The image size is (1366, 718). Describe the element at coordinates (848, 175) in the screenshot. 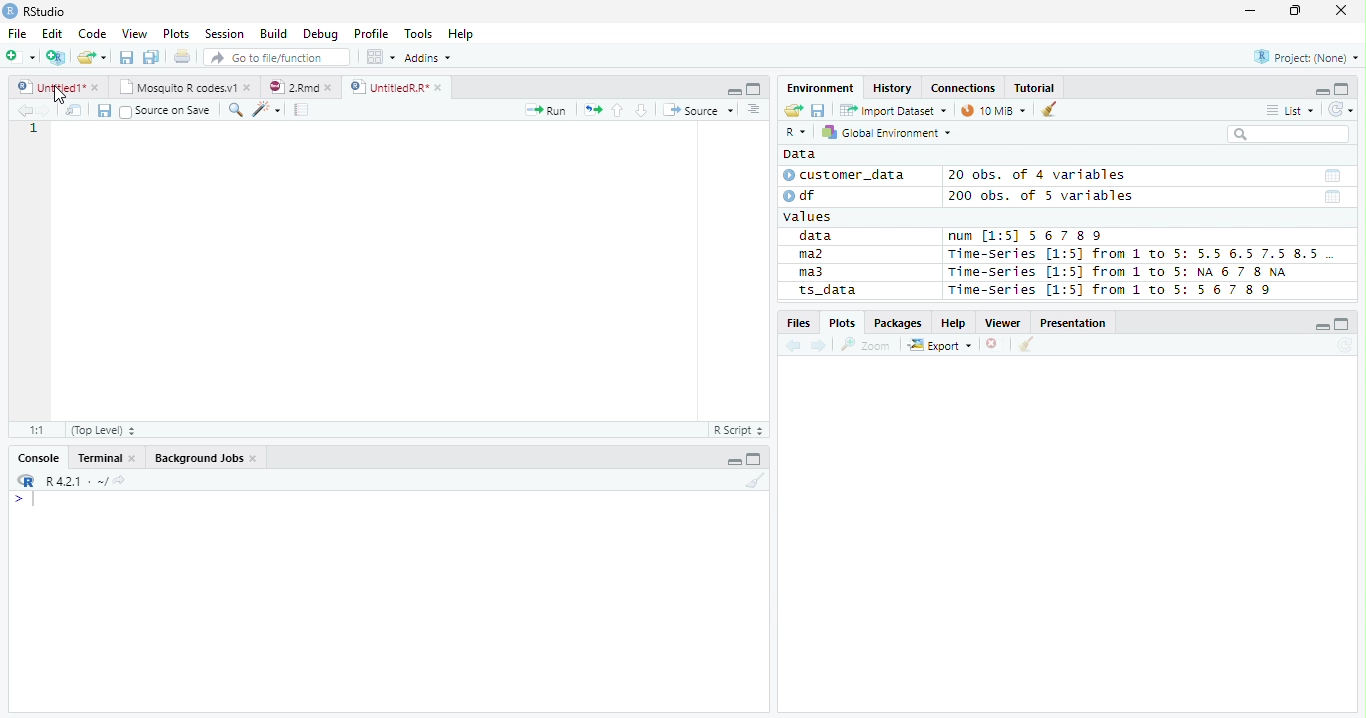

I see `customer_data` at that location.